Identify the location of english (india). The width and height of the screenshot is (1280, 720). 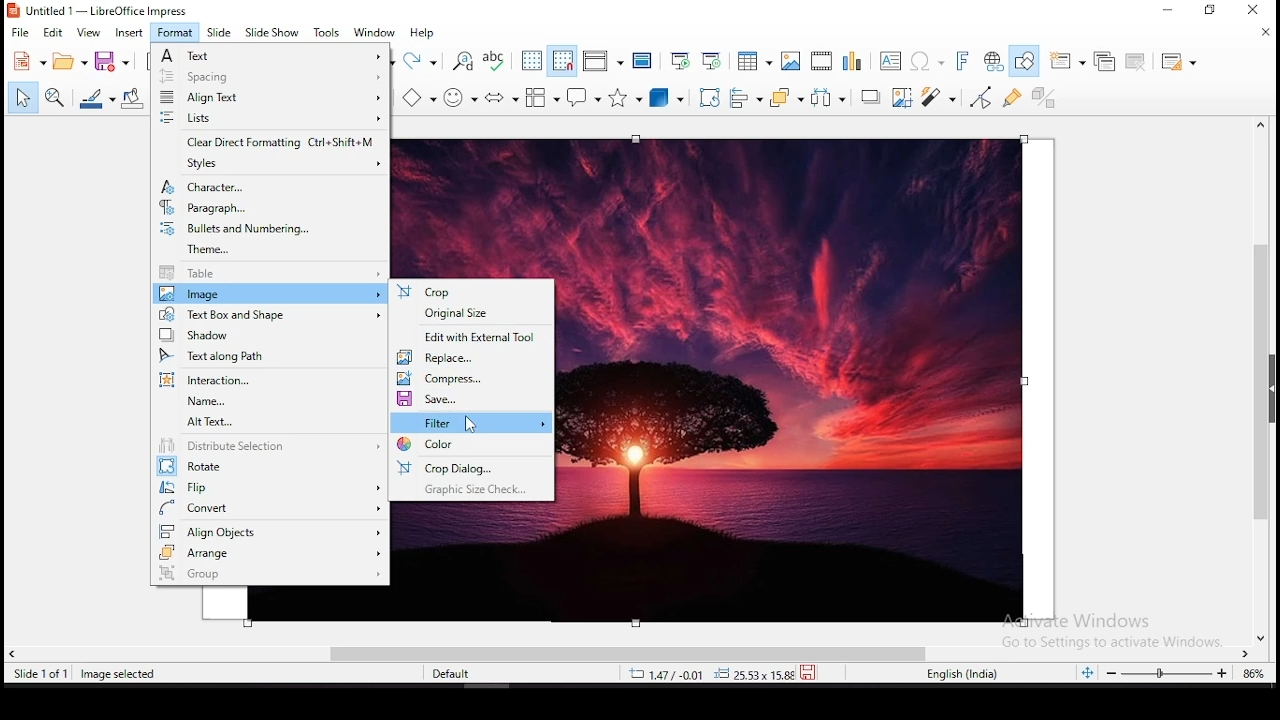
(962, 674).